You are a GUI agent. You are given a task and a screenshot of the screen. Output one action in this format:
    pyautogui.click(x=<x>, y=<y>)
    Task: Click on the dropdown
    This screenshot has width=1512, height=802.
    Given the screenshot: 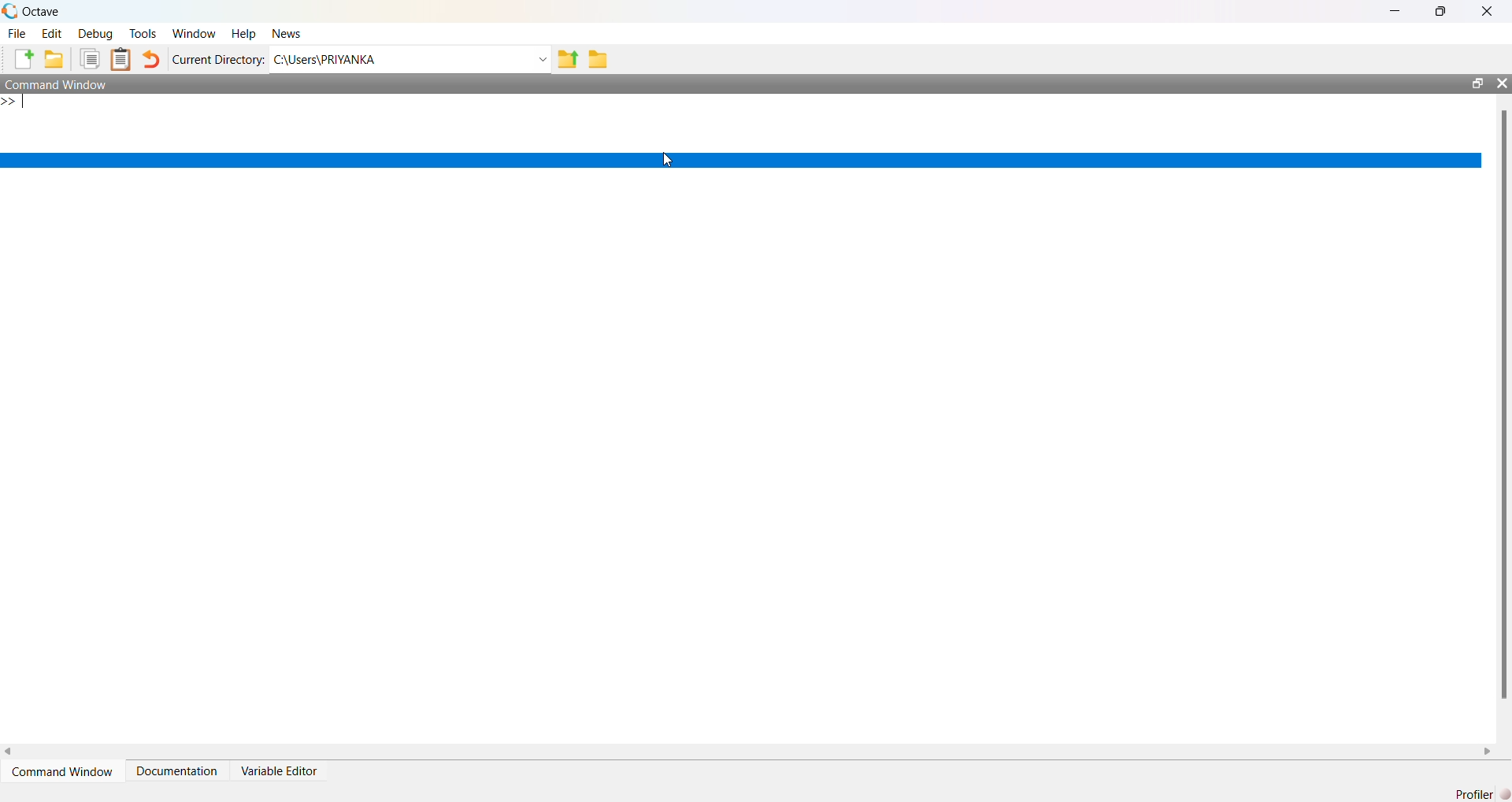 What is the action you would take?
    pyautogui.click(x=541, y=60)
    